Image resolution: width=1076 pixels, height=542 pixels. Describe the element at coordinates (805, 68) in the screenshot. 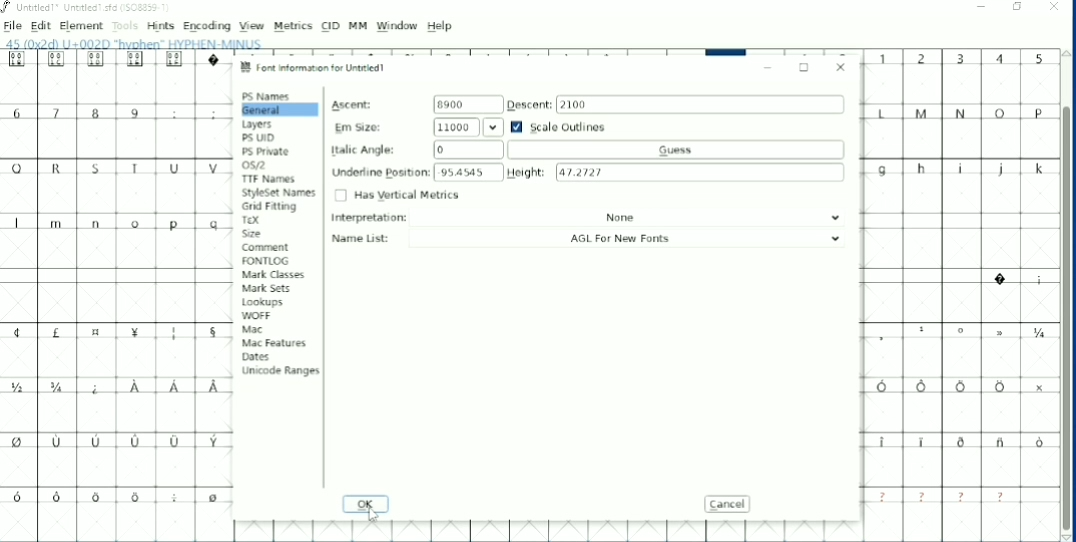

I see `Maximize` at that location.